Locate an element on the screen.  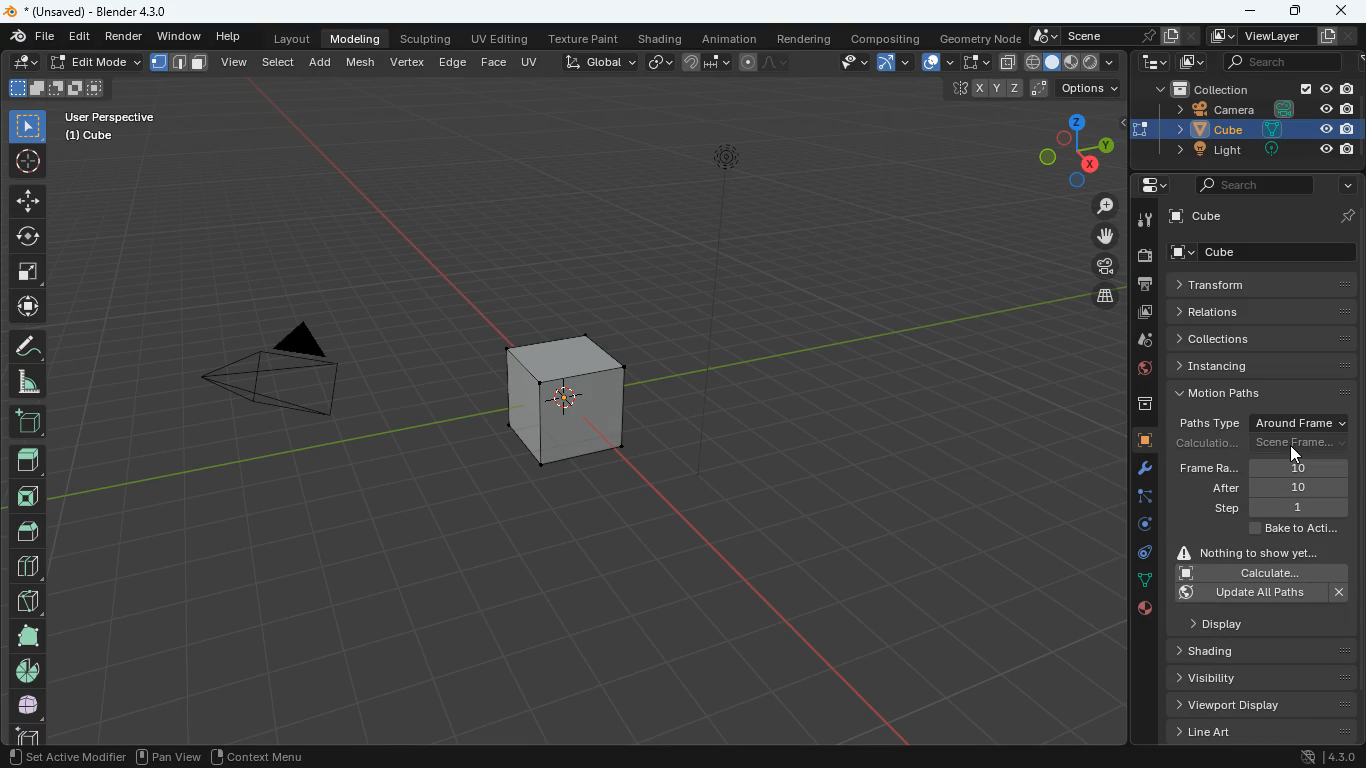
set active modifier is located at coordinates (65, 758).